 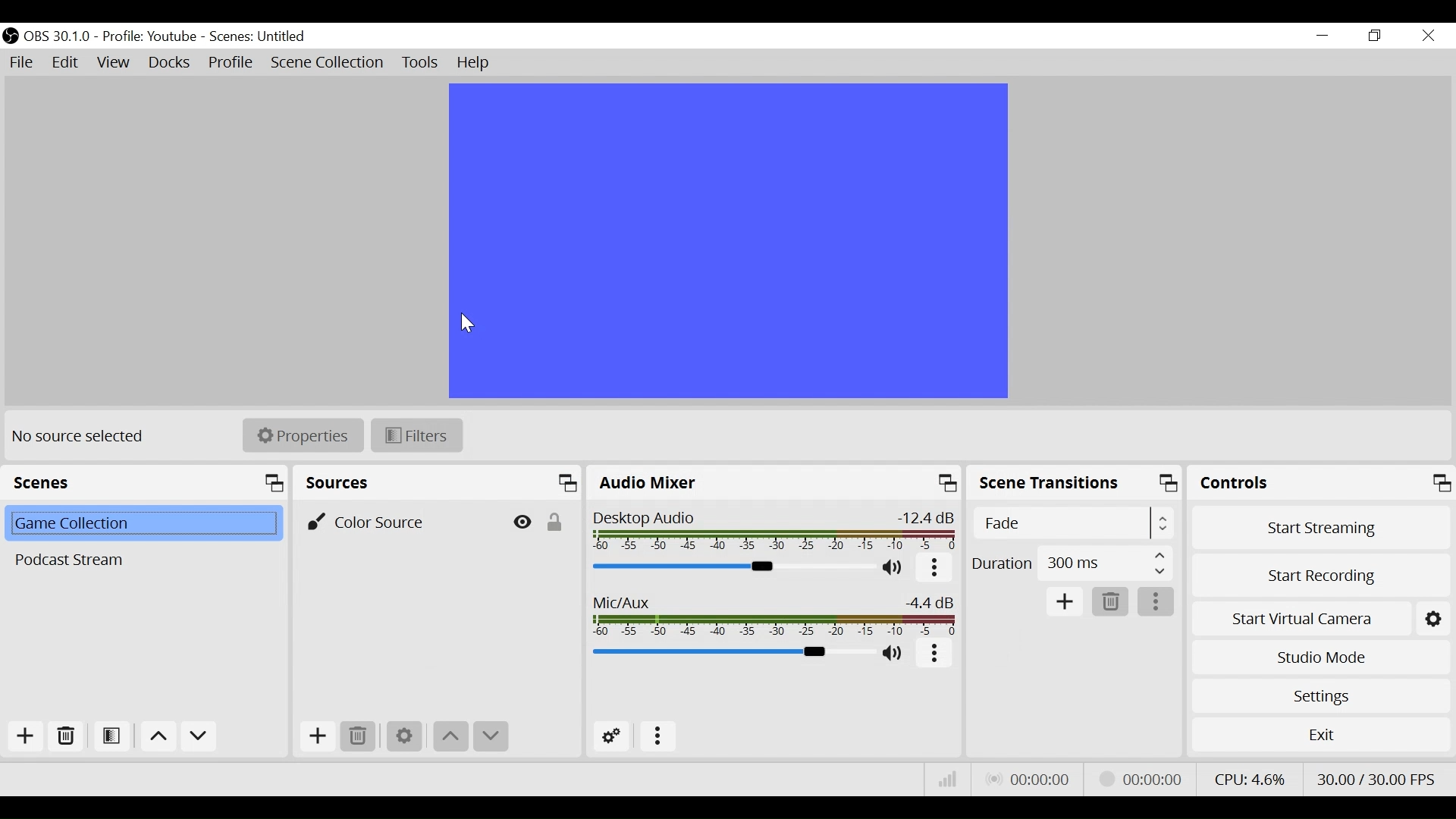 I want to click on move up, so click(x=452, y=738).